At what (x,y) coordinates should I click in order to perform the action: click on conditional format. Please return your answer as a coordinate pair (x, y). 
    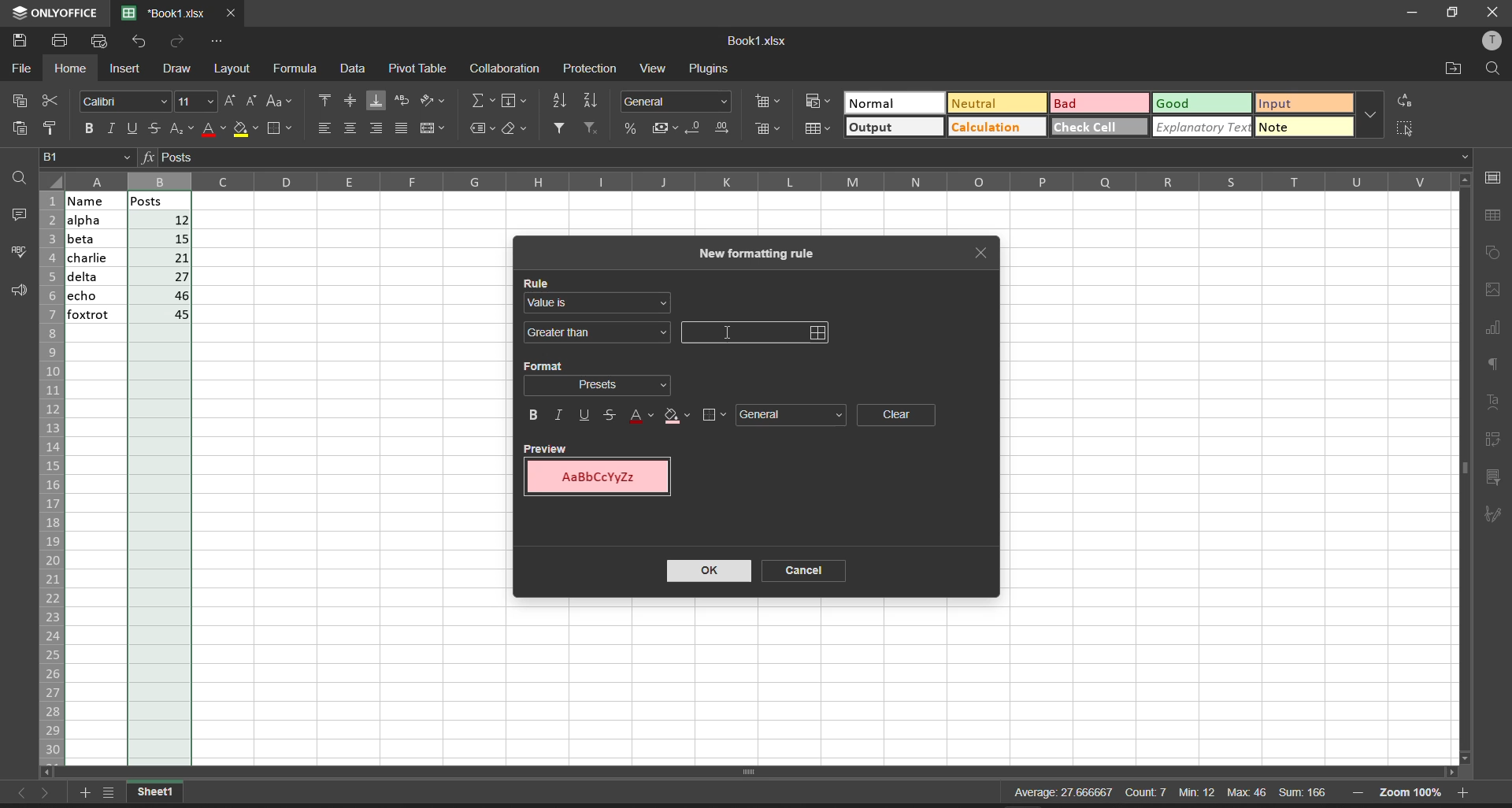
    Looking at the image, I should click on (822, 102).